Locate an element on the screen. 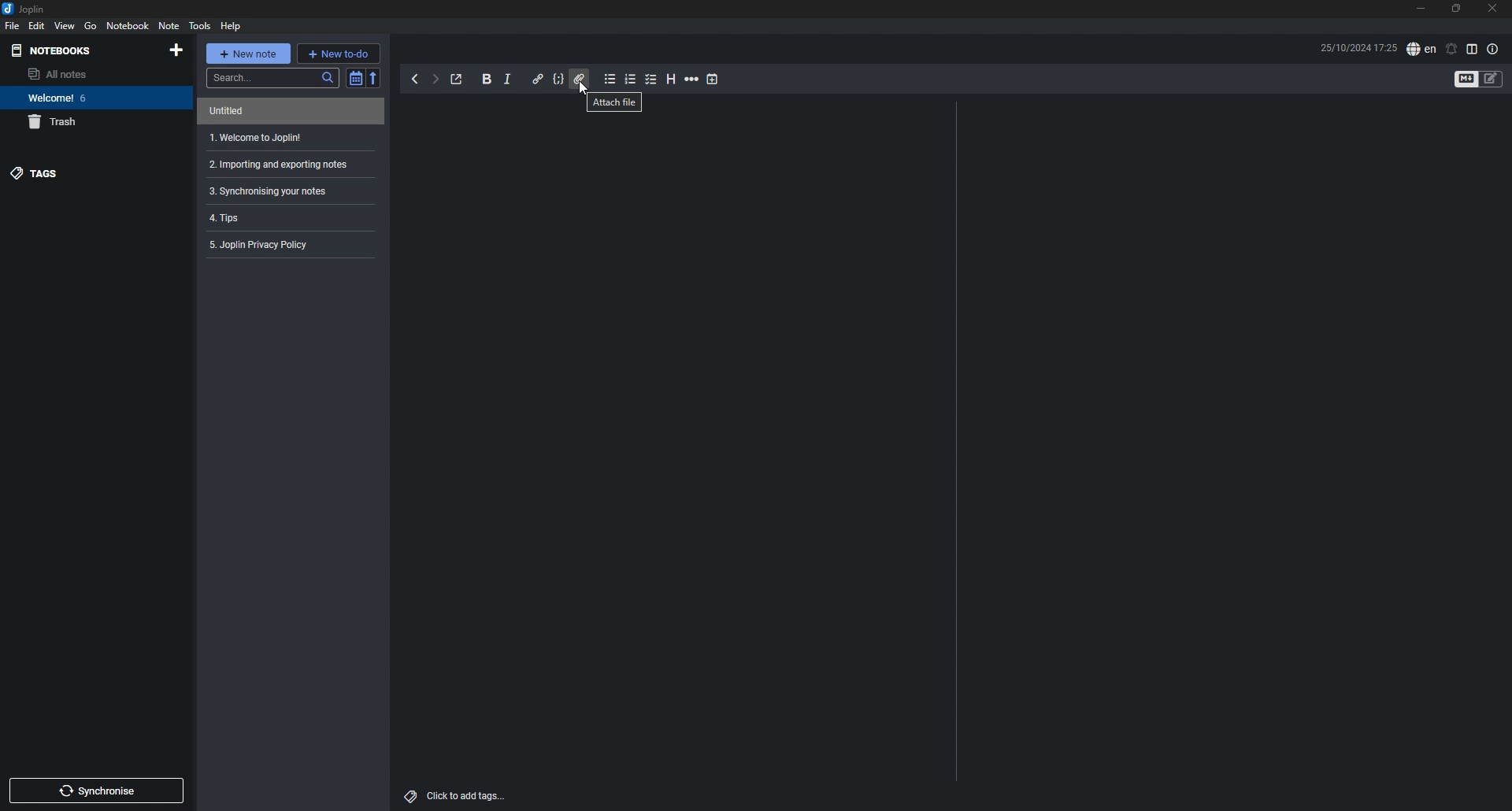  attach file is located at coordinates (579, 79).